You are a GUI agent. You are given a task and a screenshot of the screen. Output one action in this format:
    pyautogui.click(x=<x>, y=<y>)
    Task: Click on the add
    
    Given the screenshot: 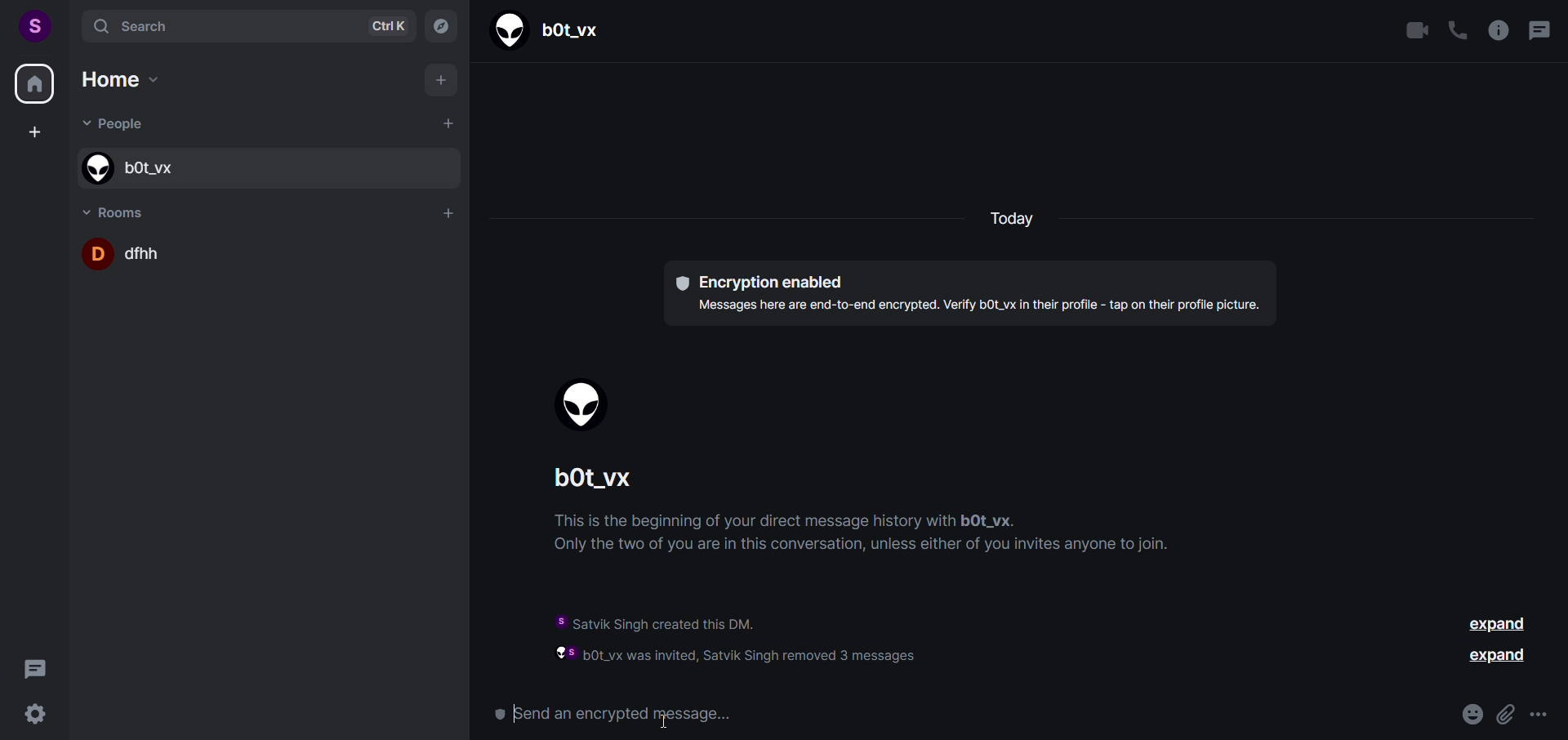 What is the action you would take?
    pyautogui.click(x=443, y=82)
    